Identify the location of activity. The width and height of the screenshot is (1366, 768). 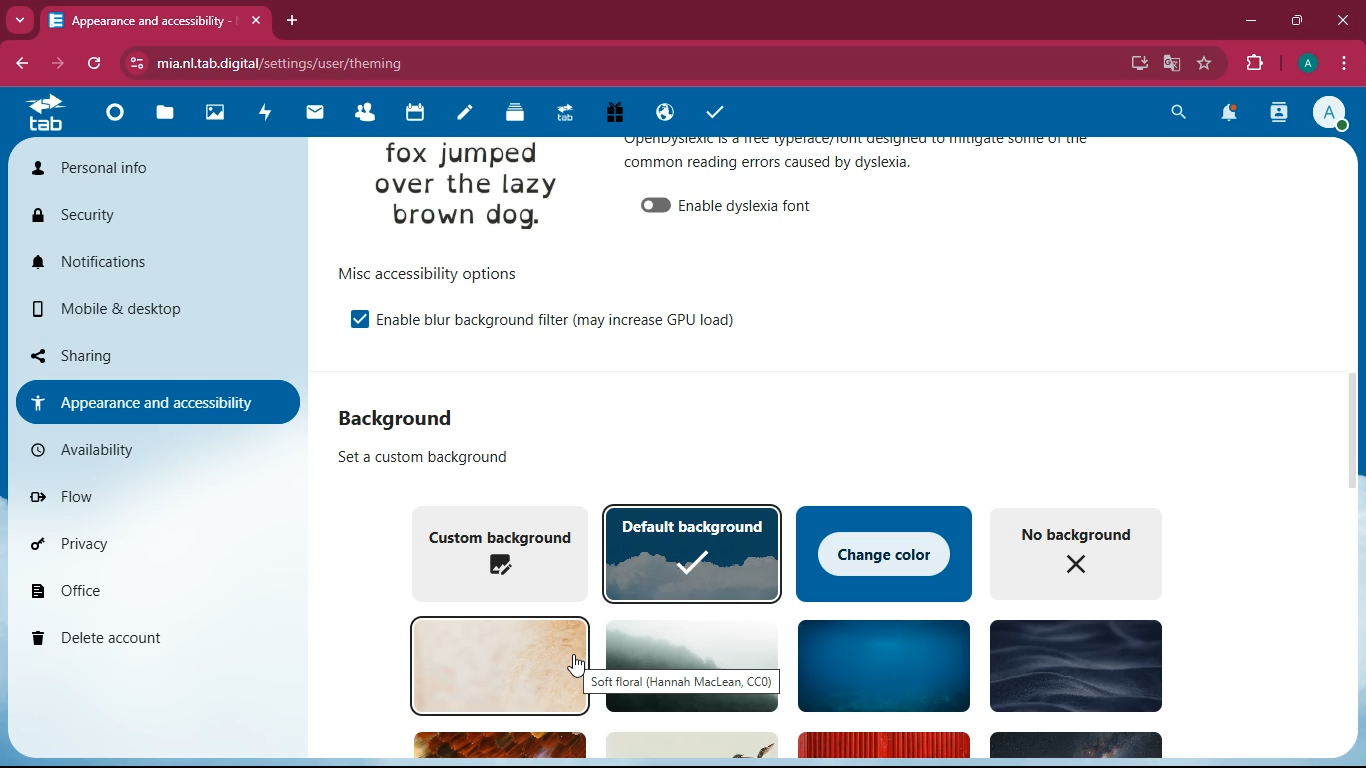
(266, 114).